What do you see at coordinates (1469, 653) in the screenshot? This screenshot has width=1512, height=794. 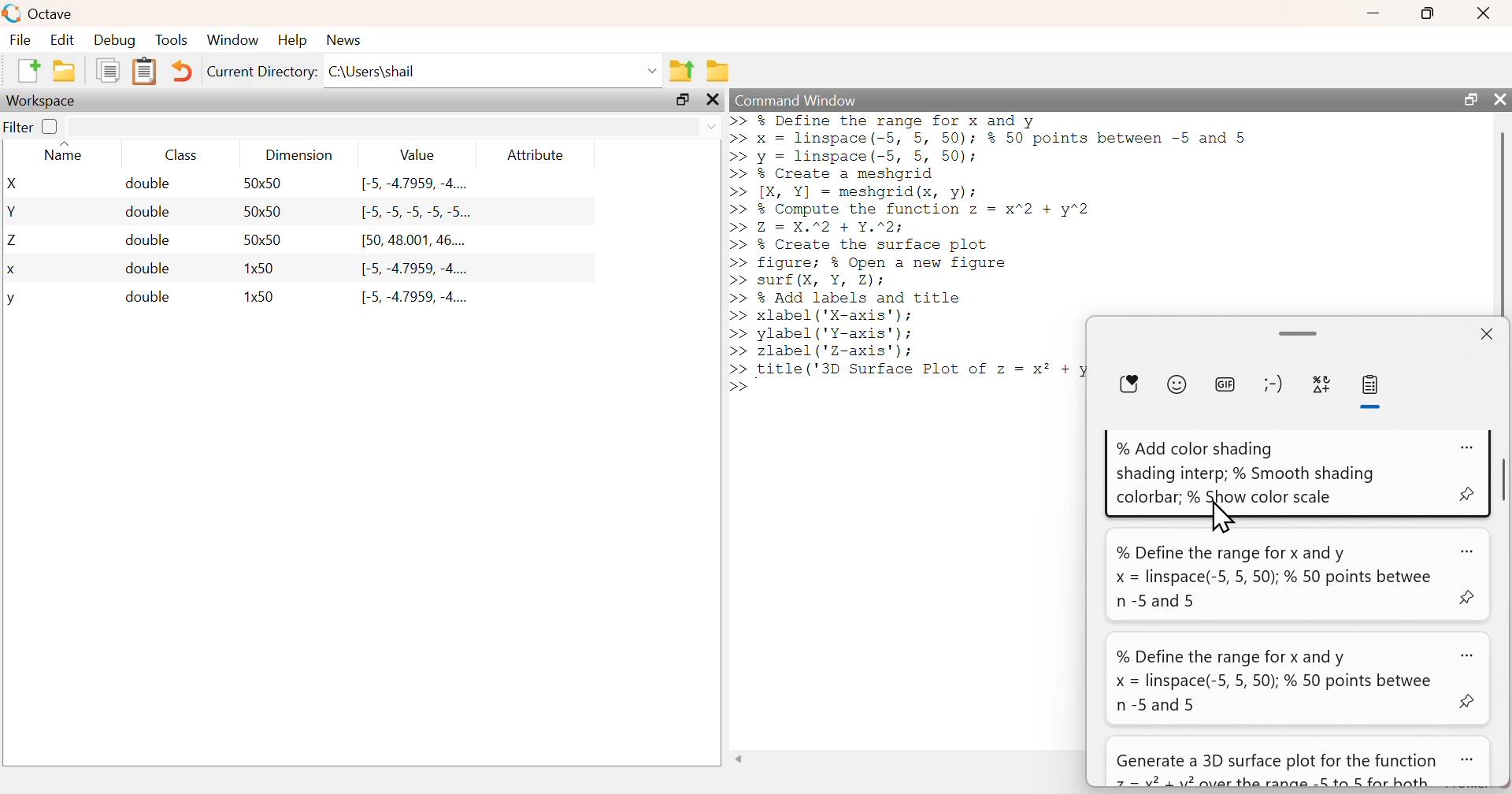 I see `more options` at bounding box center [1469, 653].